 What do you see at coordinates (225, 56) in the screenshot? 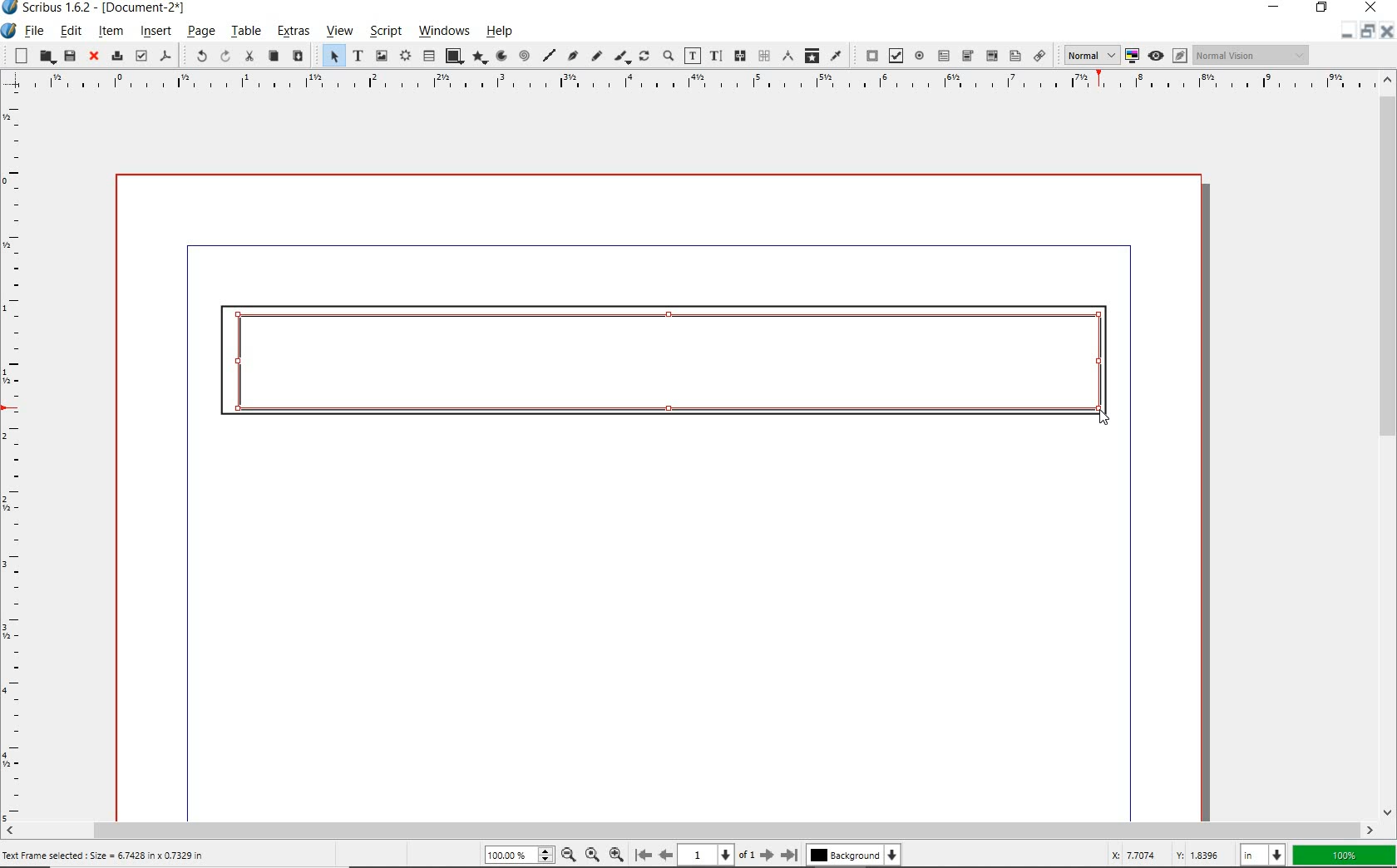
I see `redo` at bounding box center [225, 56].